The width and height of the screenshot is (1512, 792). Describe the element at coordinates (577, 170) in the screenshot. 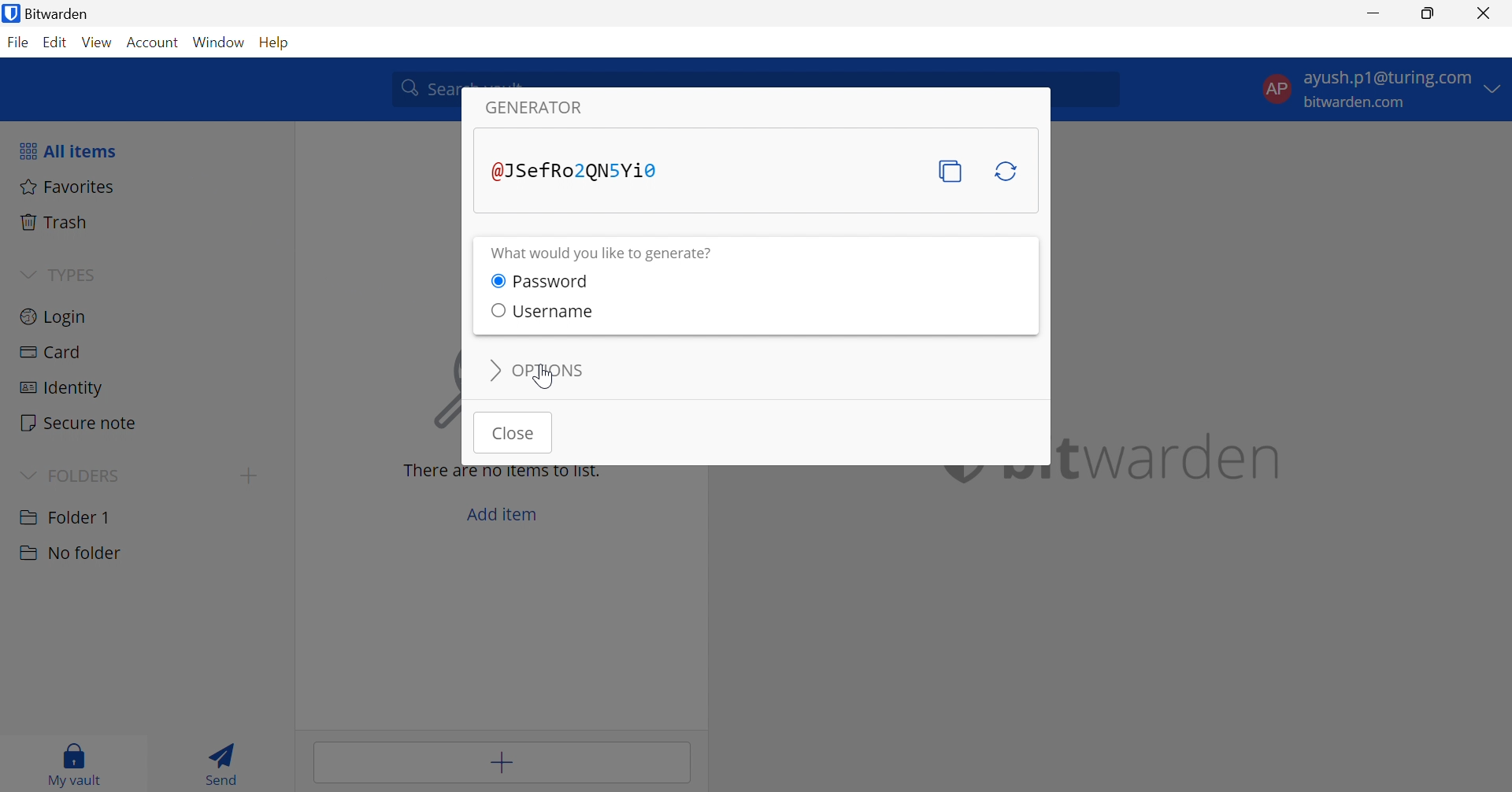

I see `@JSefRo2QN5Yi0` at that location.